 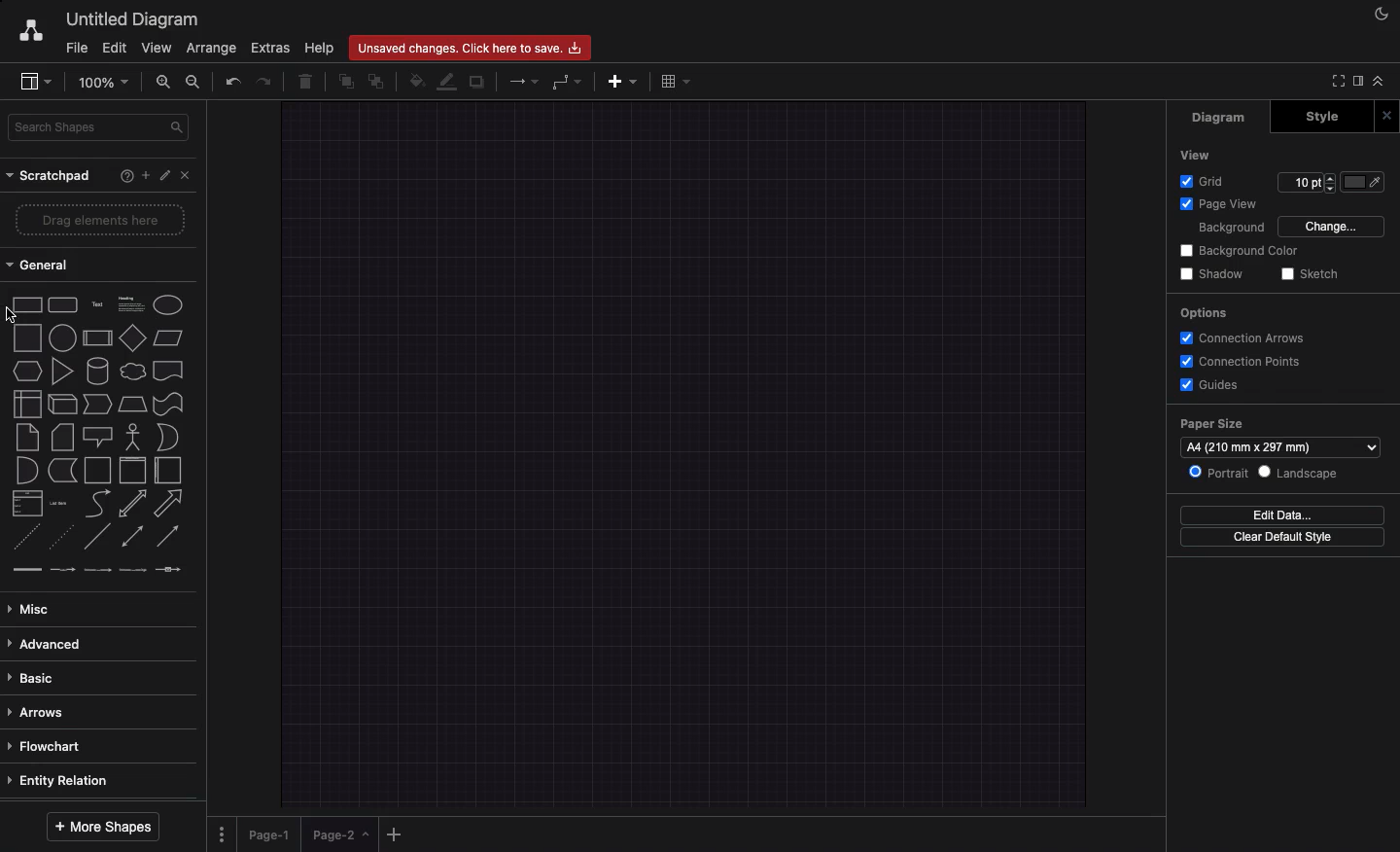 What do you see at coordinates (61, 372) in the screenshot?
I see `triangle` at bounding box center [61, 372].